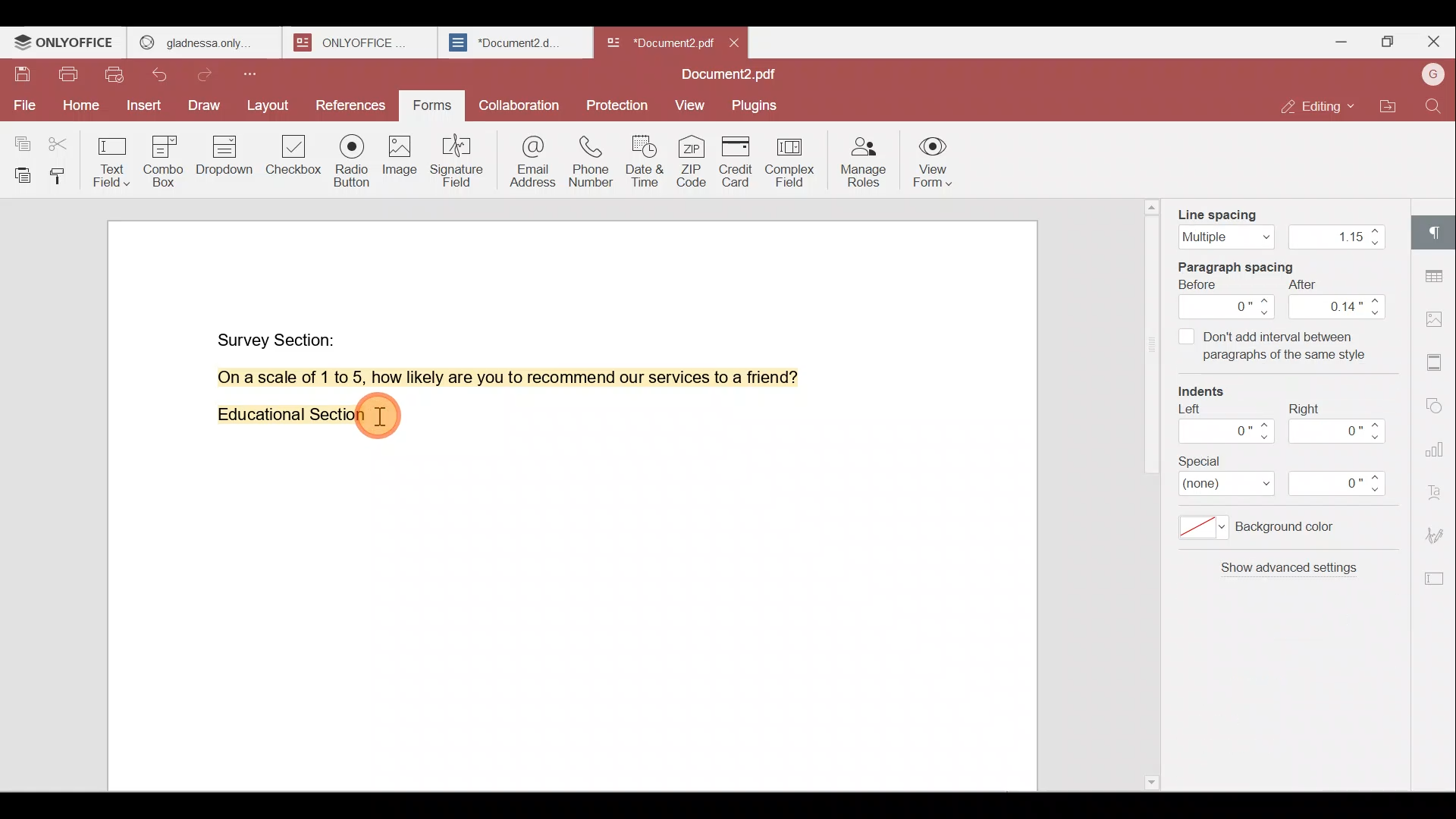 This screenshot has height=819, width=1456. What do you see at coordinates (18, 175) in the screenshot?
I see `Paste` at bounding box center [18, 175].